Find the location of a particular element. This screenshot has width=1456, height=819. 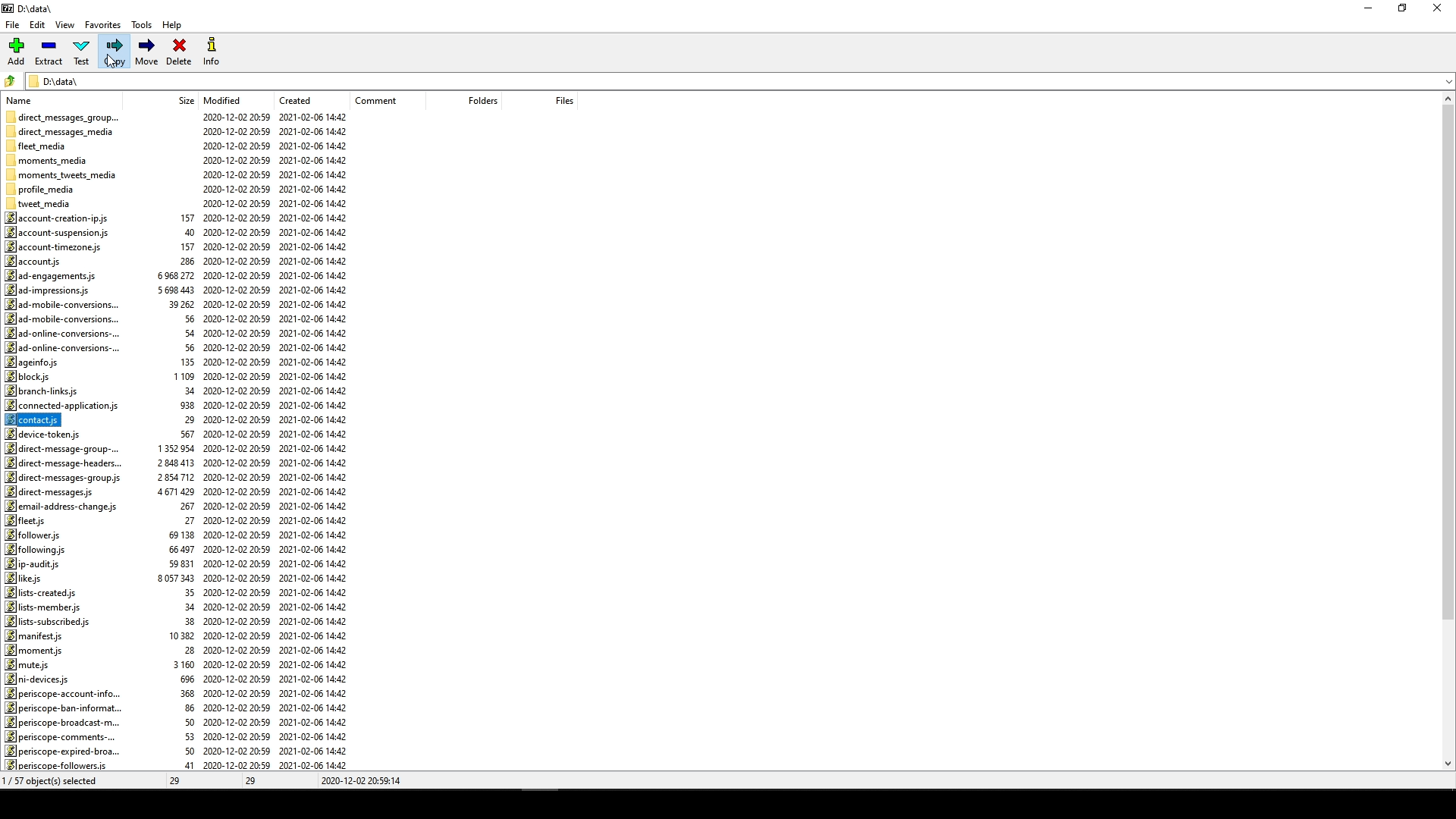

moments_tweets_media is located at coordinates (66, 174).